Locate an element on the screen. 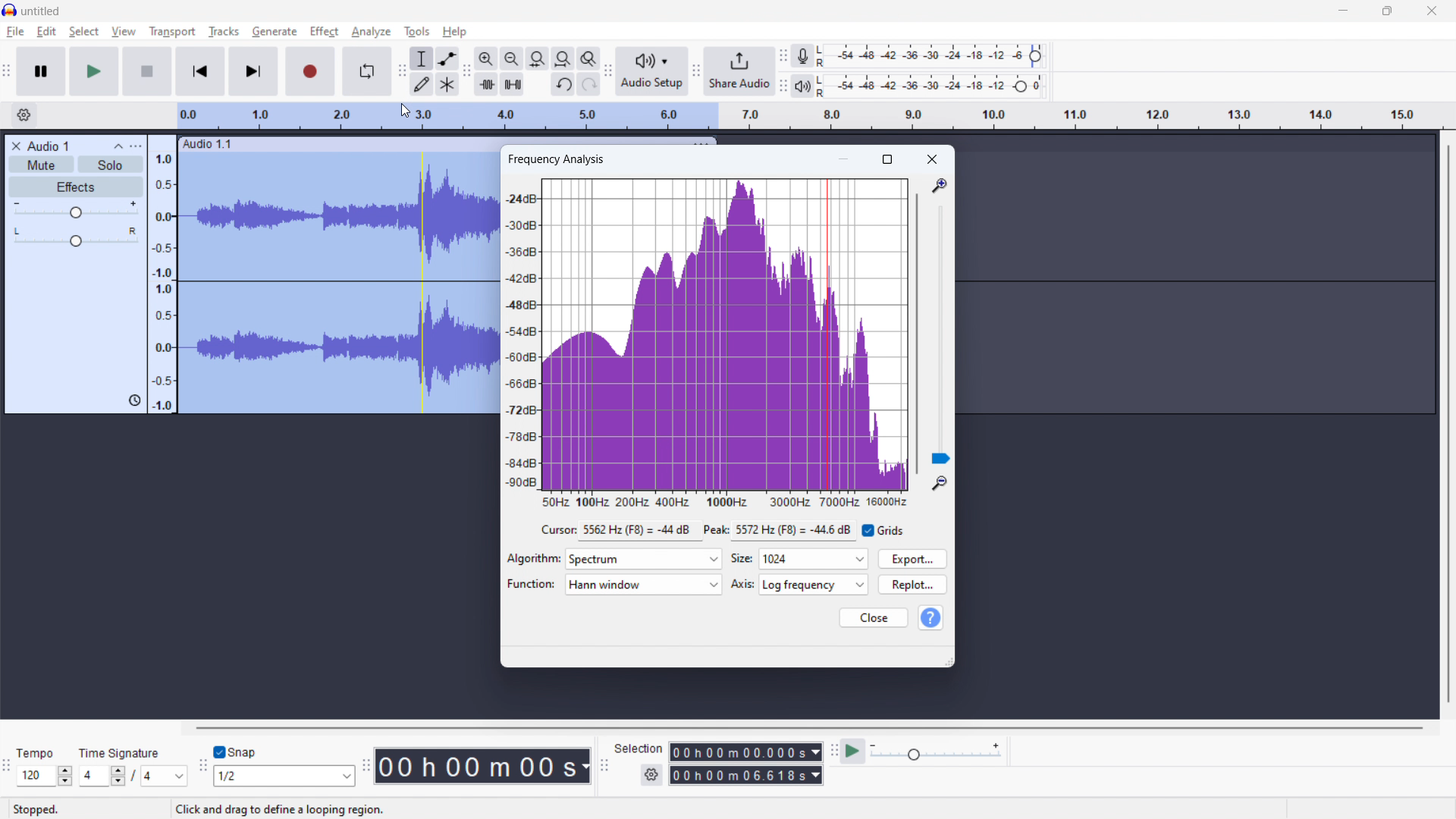  amplitude is located at coordinates (163, 274).